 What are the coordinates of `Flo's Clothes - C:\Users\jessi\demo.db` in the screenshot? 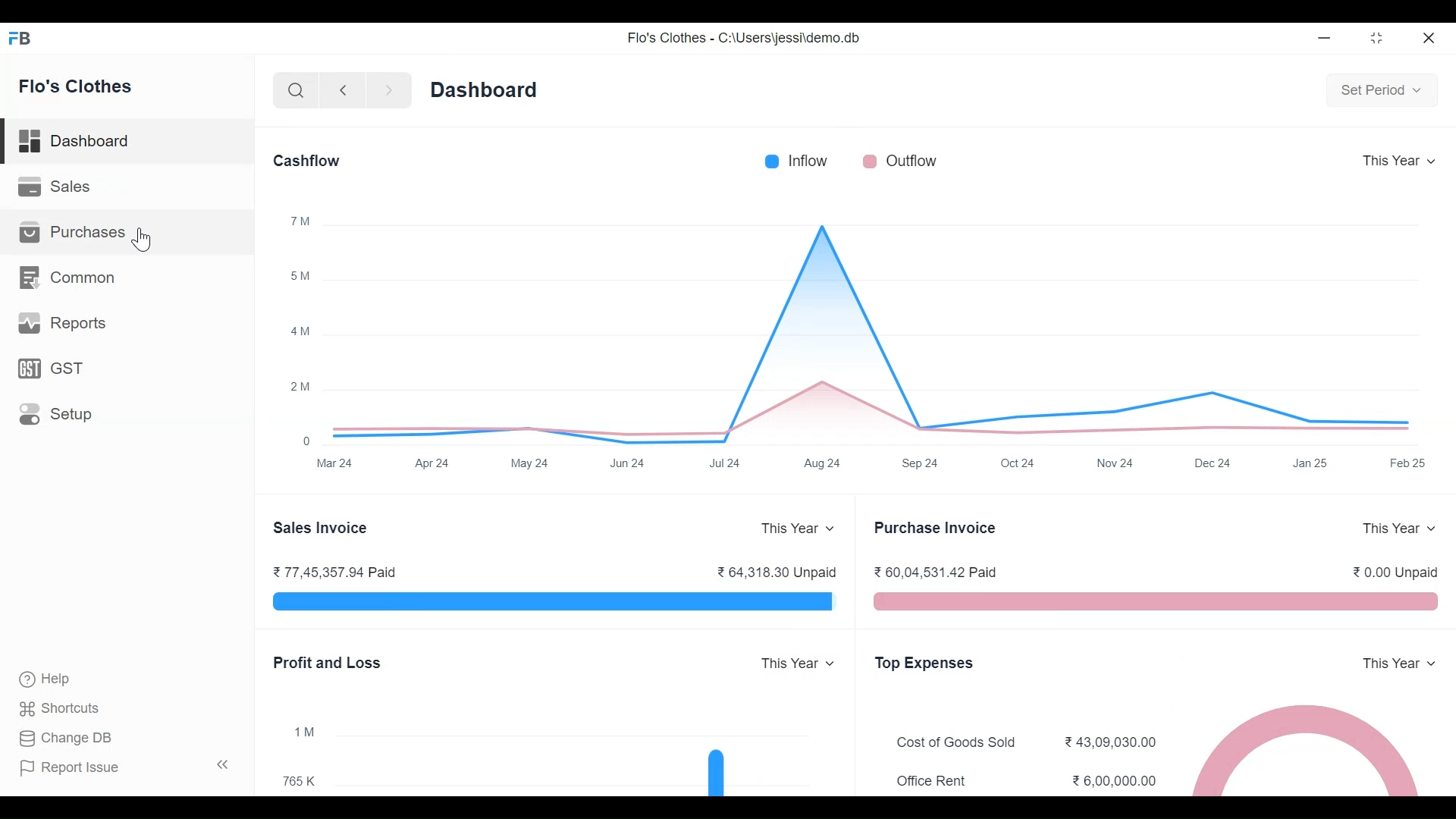 It's located at (746, 36).